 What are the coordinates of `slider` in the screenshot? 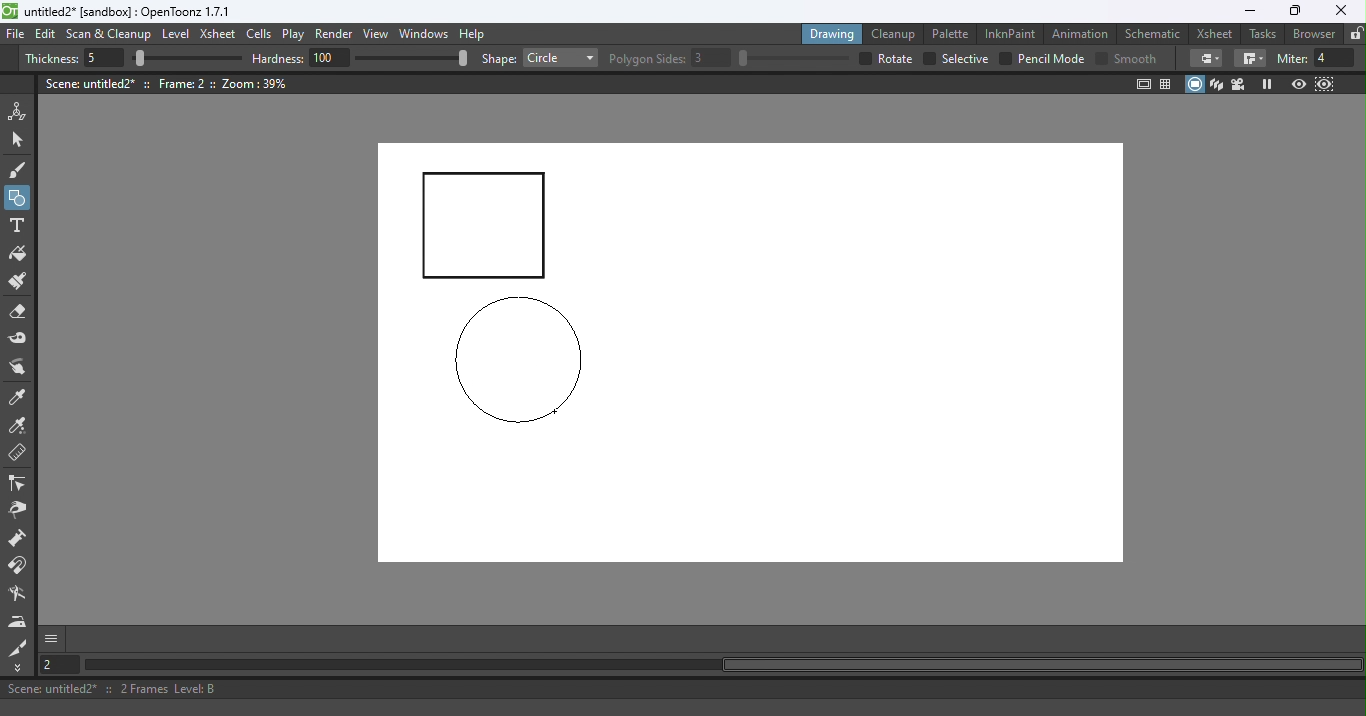 It's located at (187, 59).